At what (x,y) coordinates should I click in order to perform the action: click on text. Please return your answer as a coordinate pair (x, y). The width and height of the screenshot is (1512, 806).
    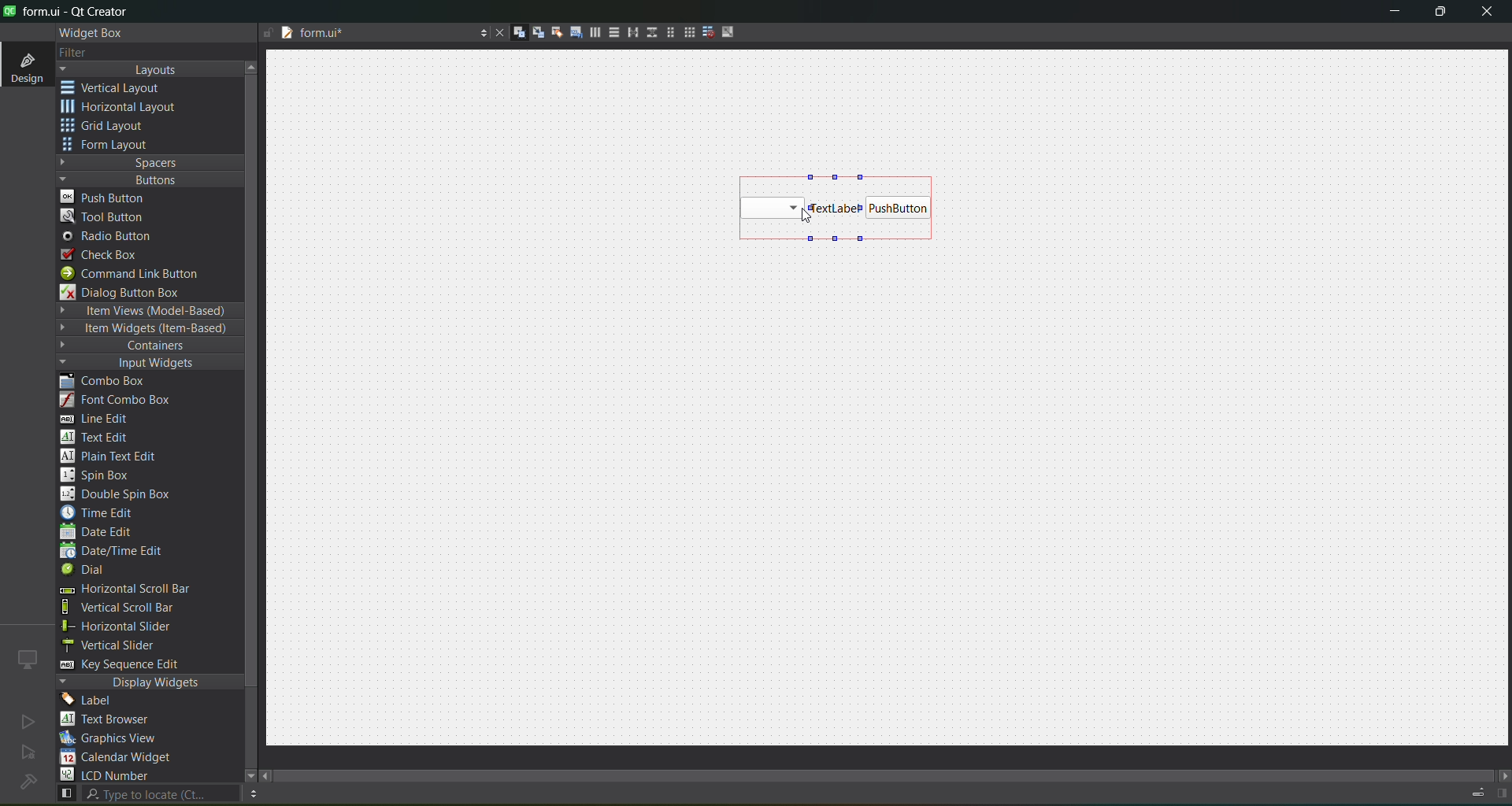
    Looking at the image, I should click on (114, 720).